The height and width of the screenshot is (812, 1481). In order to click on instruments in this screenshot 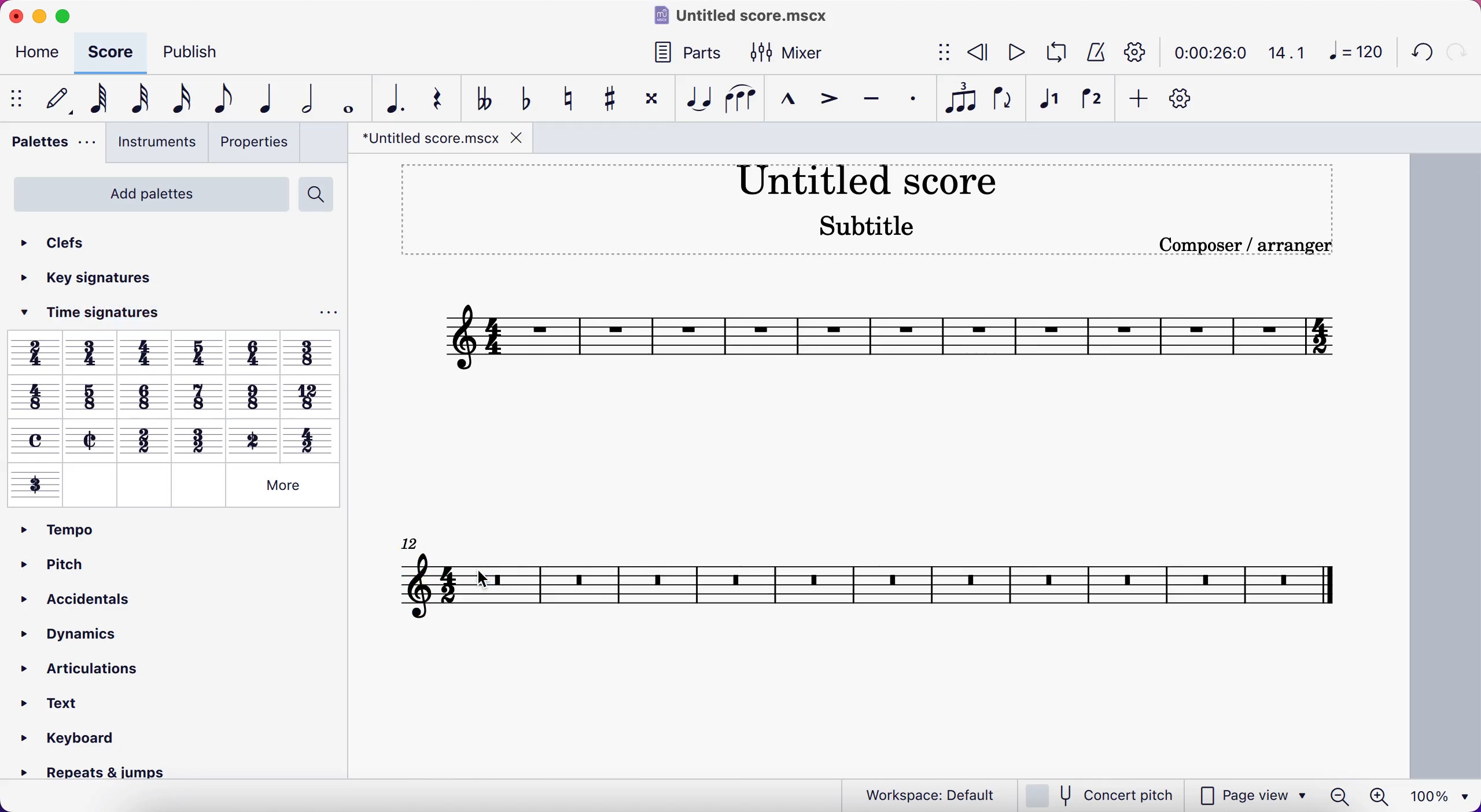, I will do `click(156, 145)`.